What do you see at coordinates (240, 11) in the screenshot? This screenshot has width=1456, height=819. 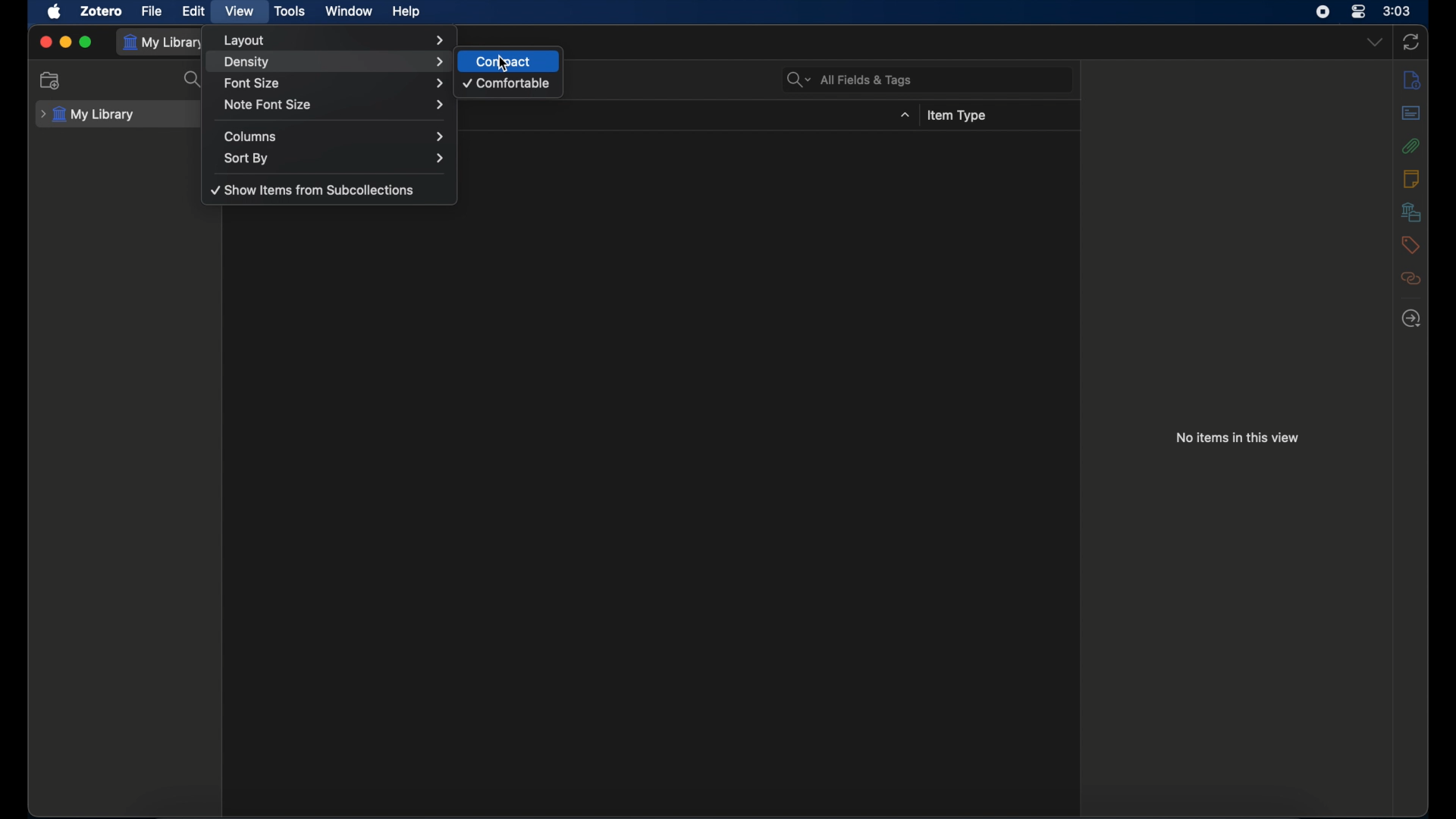 I see `view` at bounding box center [240, 11].